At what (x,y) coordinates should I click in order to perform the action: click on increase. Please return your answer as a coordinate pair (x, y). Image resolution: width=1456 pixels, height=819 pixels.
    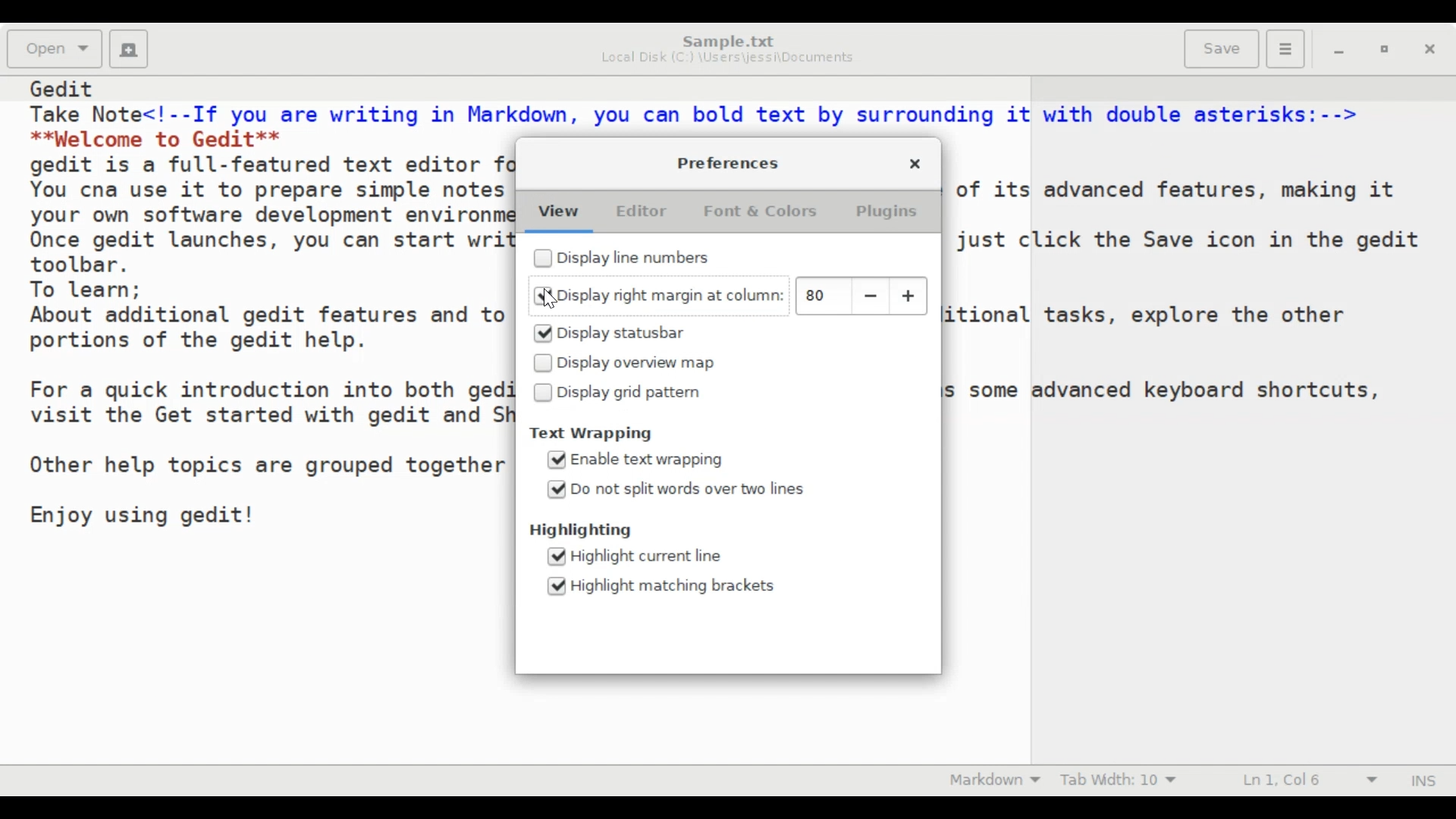
    Looking at the image, I should click on (911, 297).